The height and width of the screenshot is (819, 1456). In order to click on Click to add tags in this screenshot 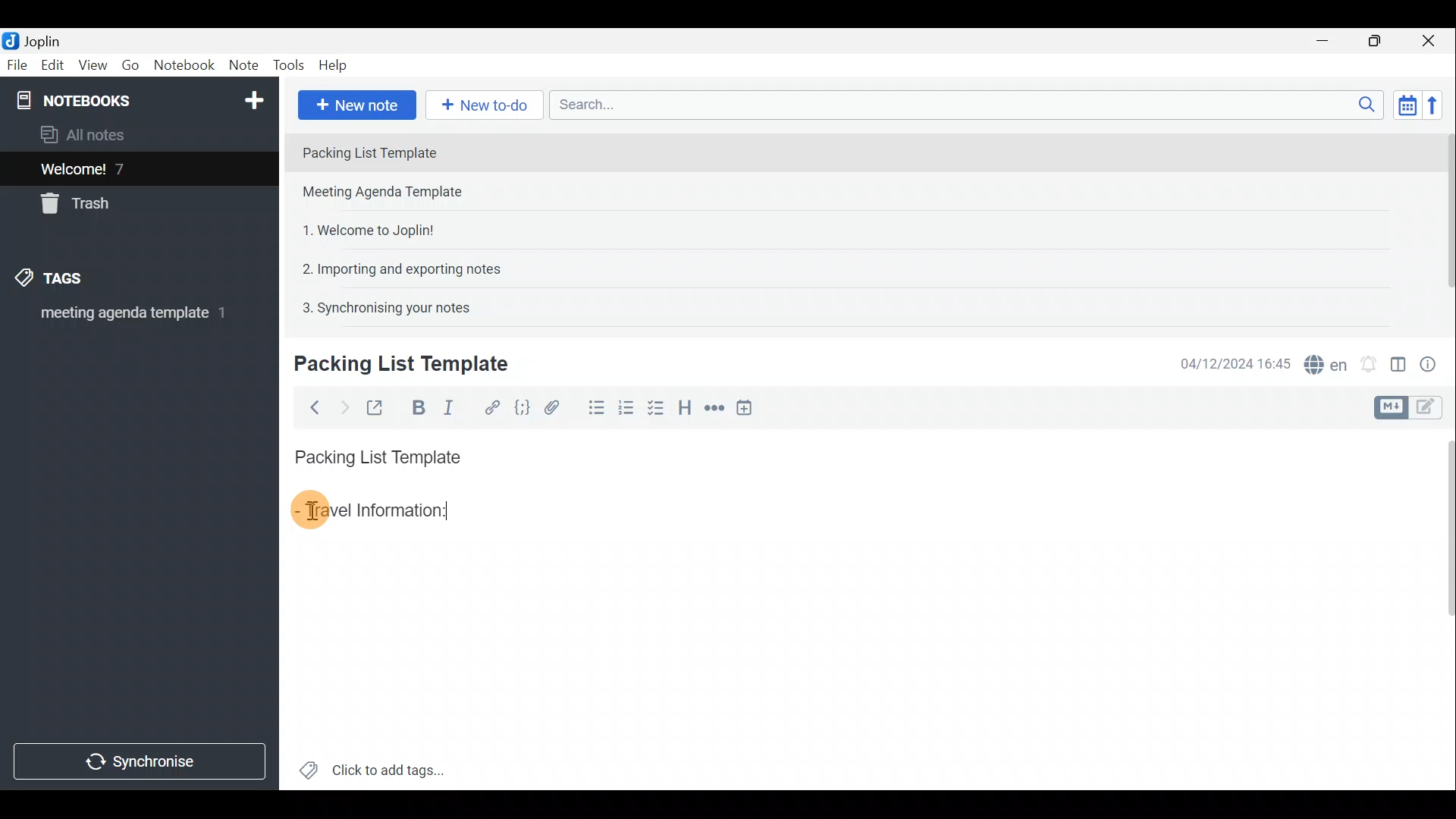, I will do `click(372, 766)`.